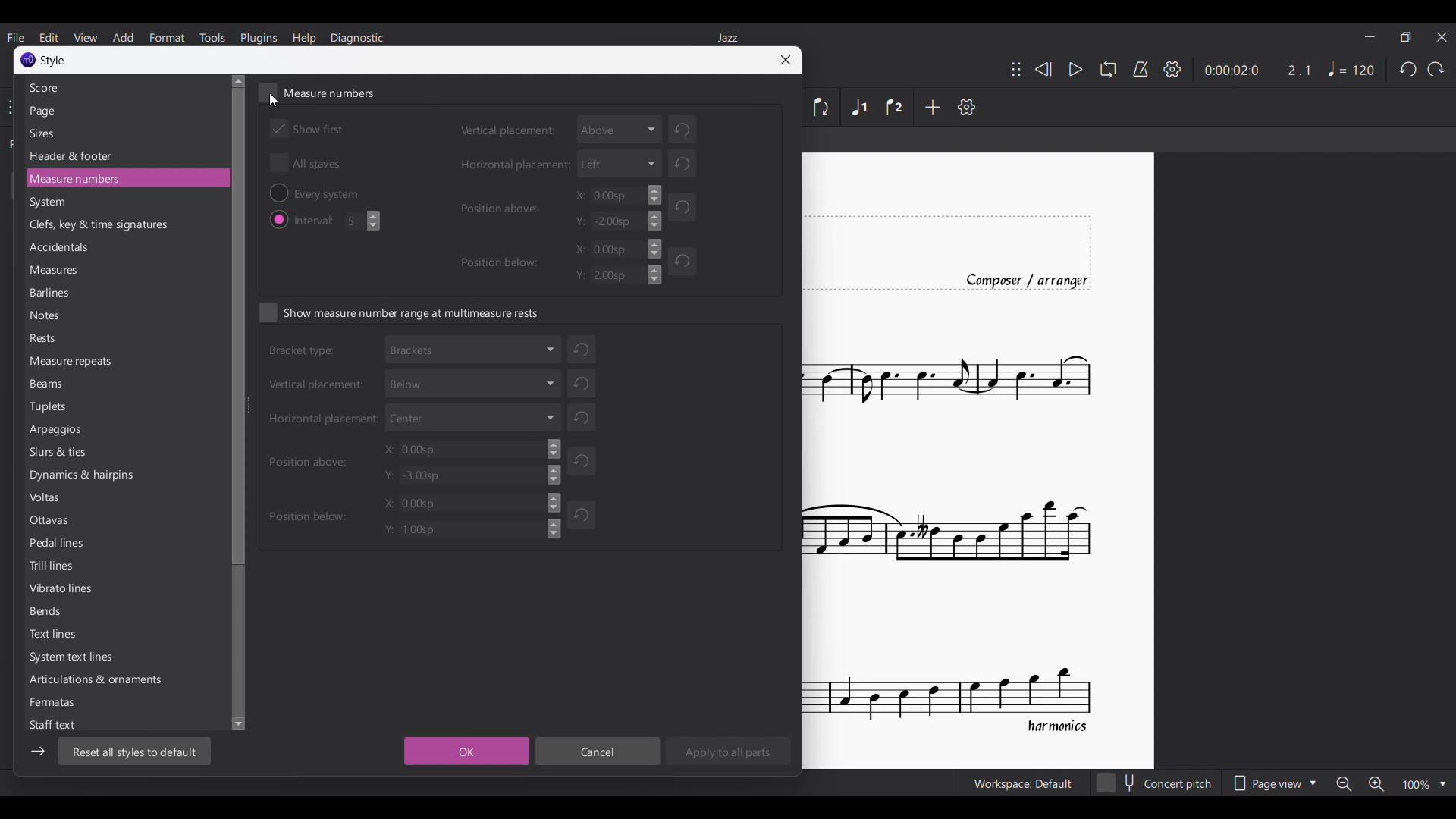 The image size is (1456, 819). I want to click on Toggle for measure number range , so click(399, 312).